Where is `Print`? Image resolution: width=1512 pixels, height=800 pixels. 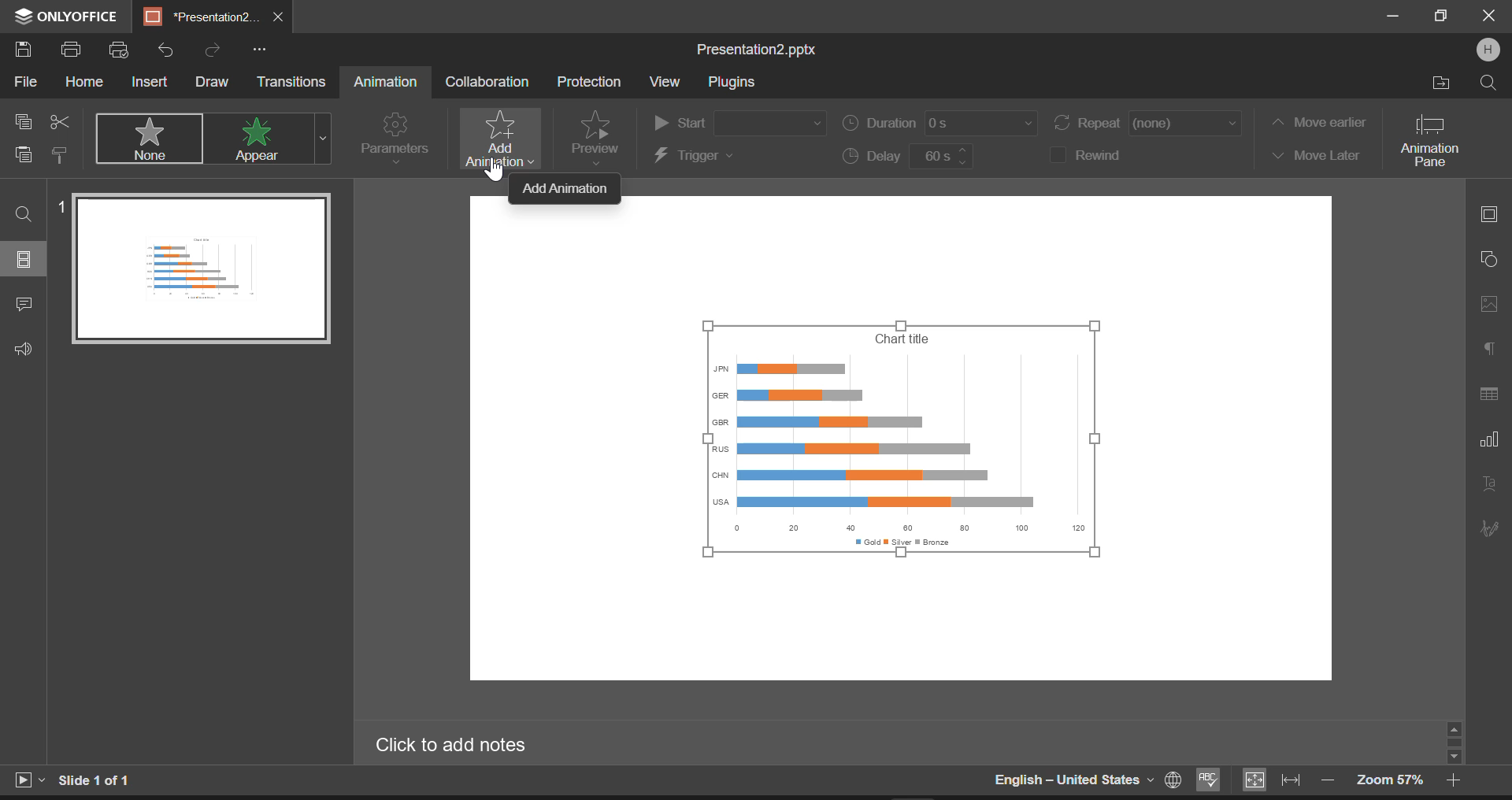
Print is located at coordinates (74, 51).